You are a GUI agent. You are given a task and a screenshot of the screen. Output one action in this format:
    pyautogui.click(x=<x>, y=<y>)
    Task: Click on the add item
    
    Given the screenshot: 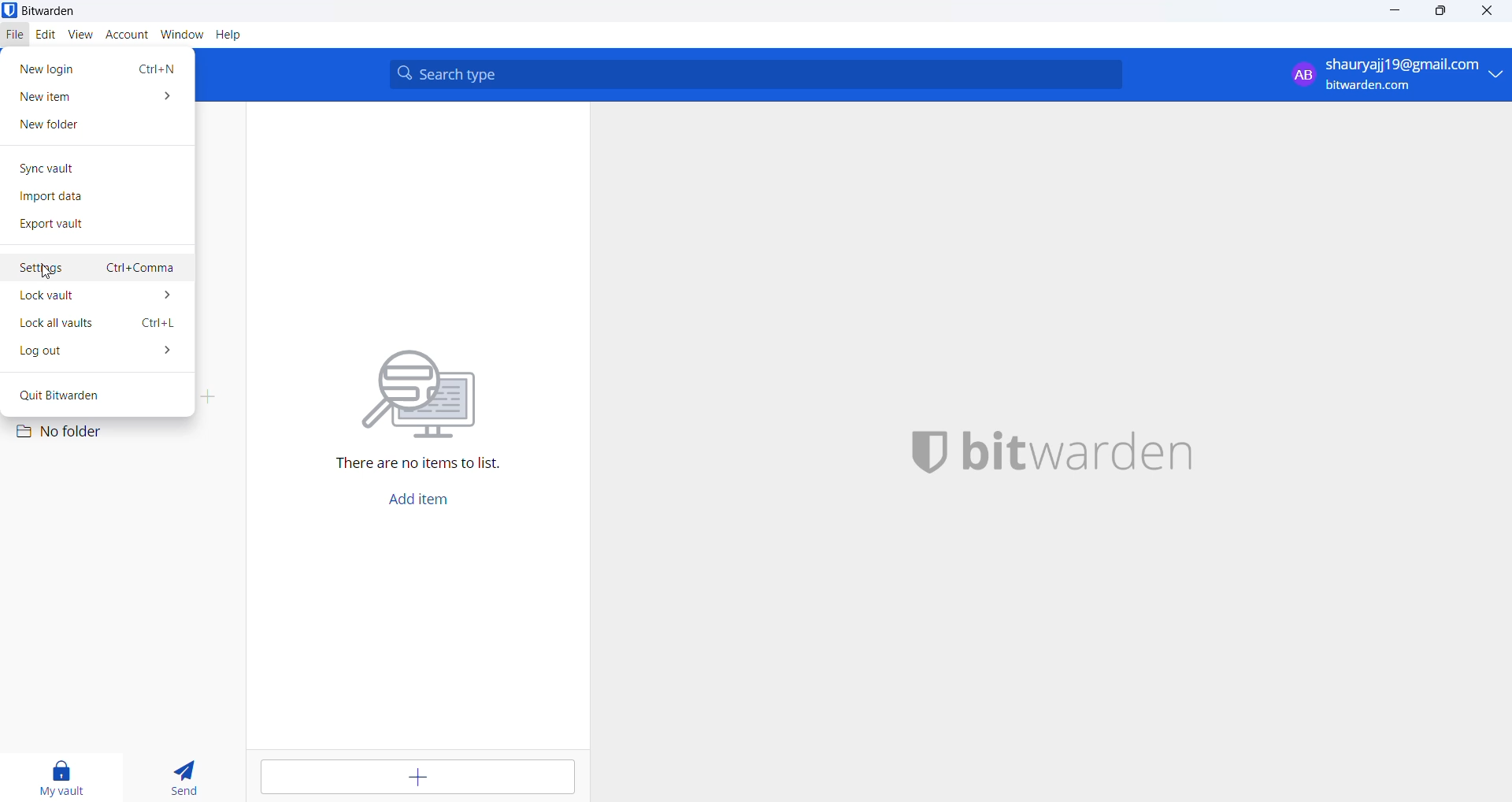 What is the action you would take?
    pyautogui.click(x=434, y=504)
    